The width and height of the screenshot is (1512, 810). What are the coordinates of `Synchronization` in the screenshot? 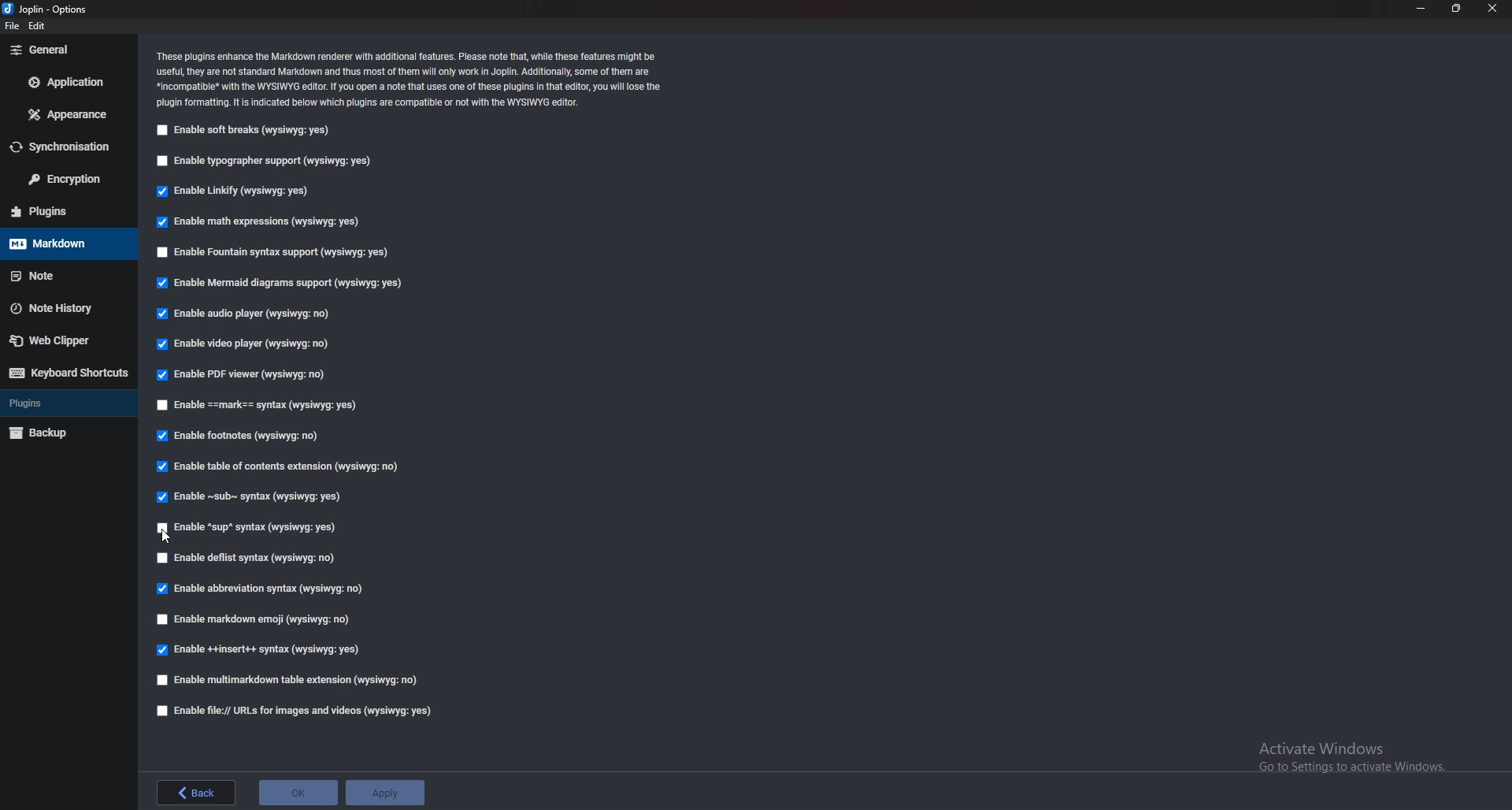 It's located at (66, 146).